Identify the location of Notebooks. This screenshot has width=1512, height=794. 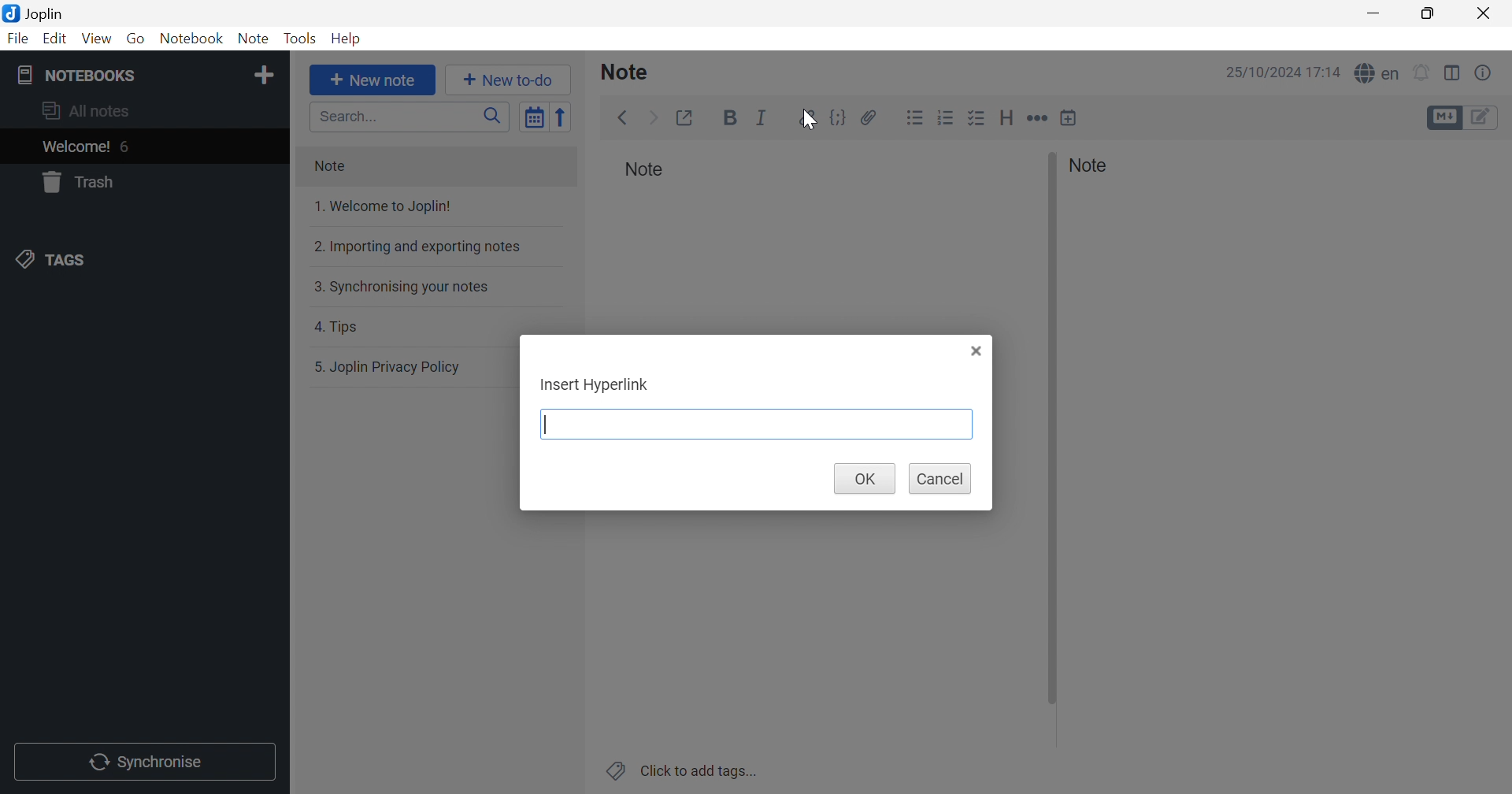
(124, 75).